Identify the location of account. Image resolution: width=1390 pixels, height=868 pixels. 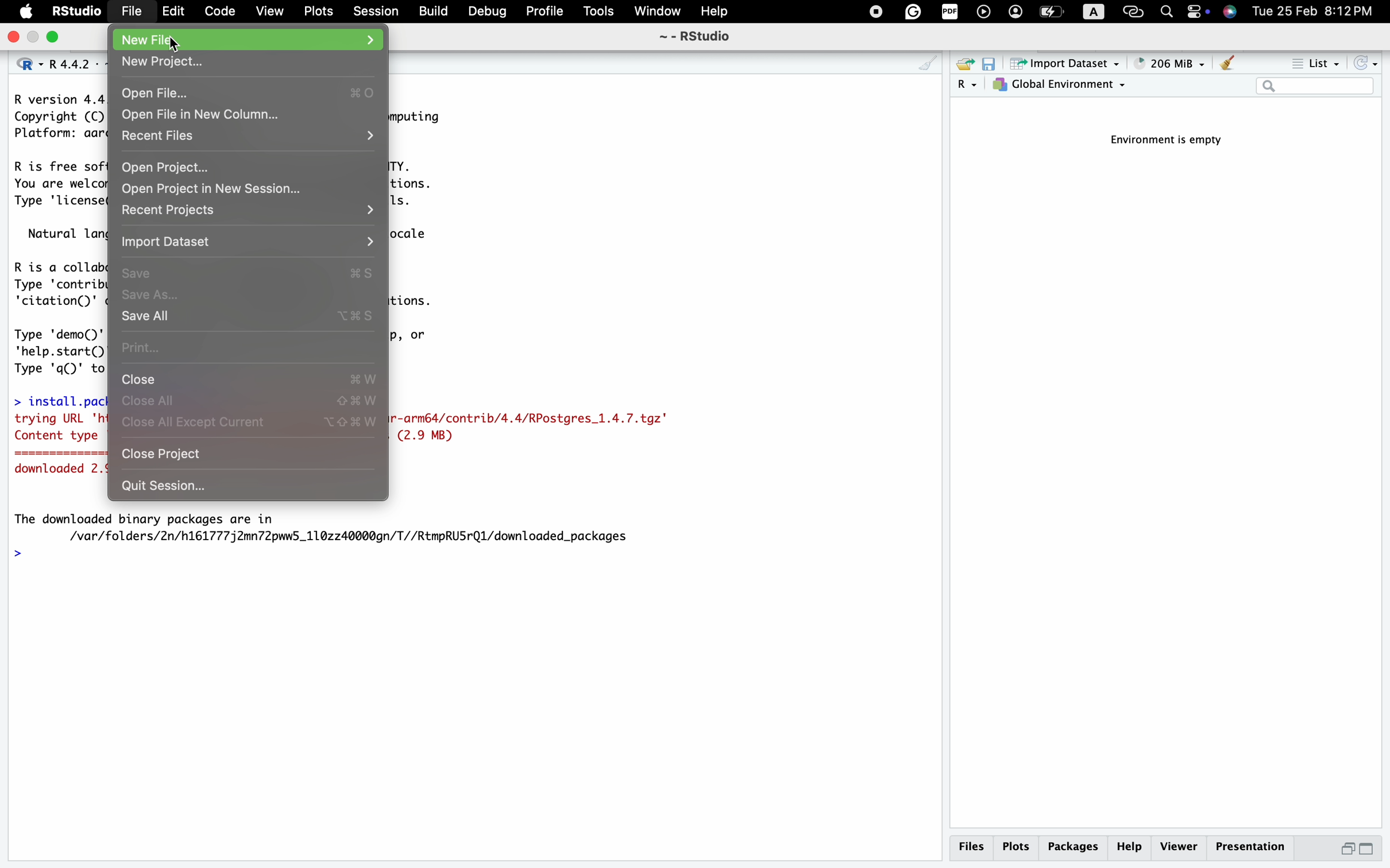
(1015, 13).